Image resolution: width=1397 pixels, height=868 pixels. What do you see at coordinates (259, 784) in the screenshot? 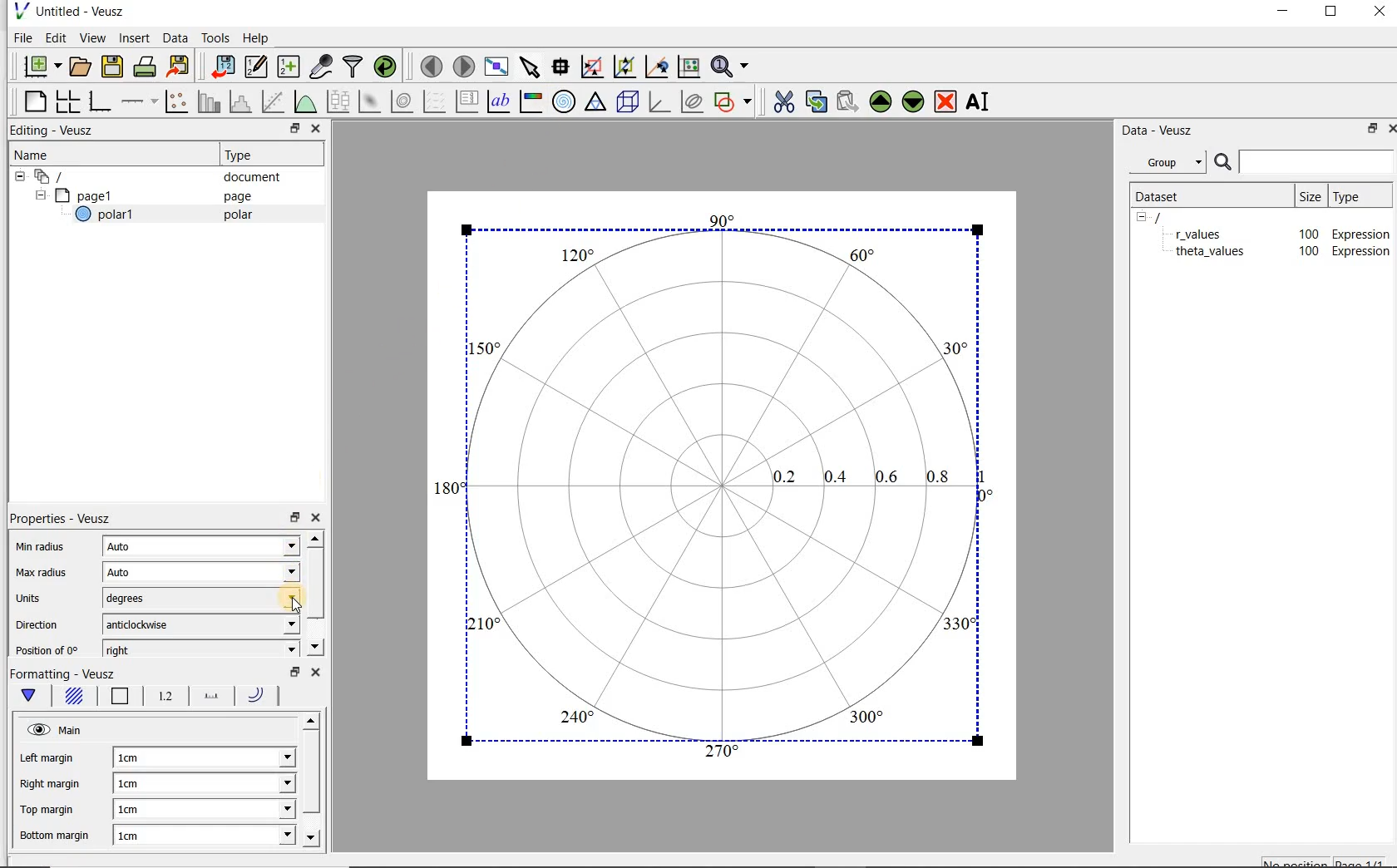
I see ` Right margin dropdown` at bounding box center [259, 784].